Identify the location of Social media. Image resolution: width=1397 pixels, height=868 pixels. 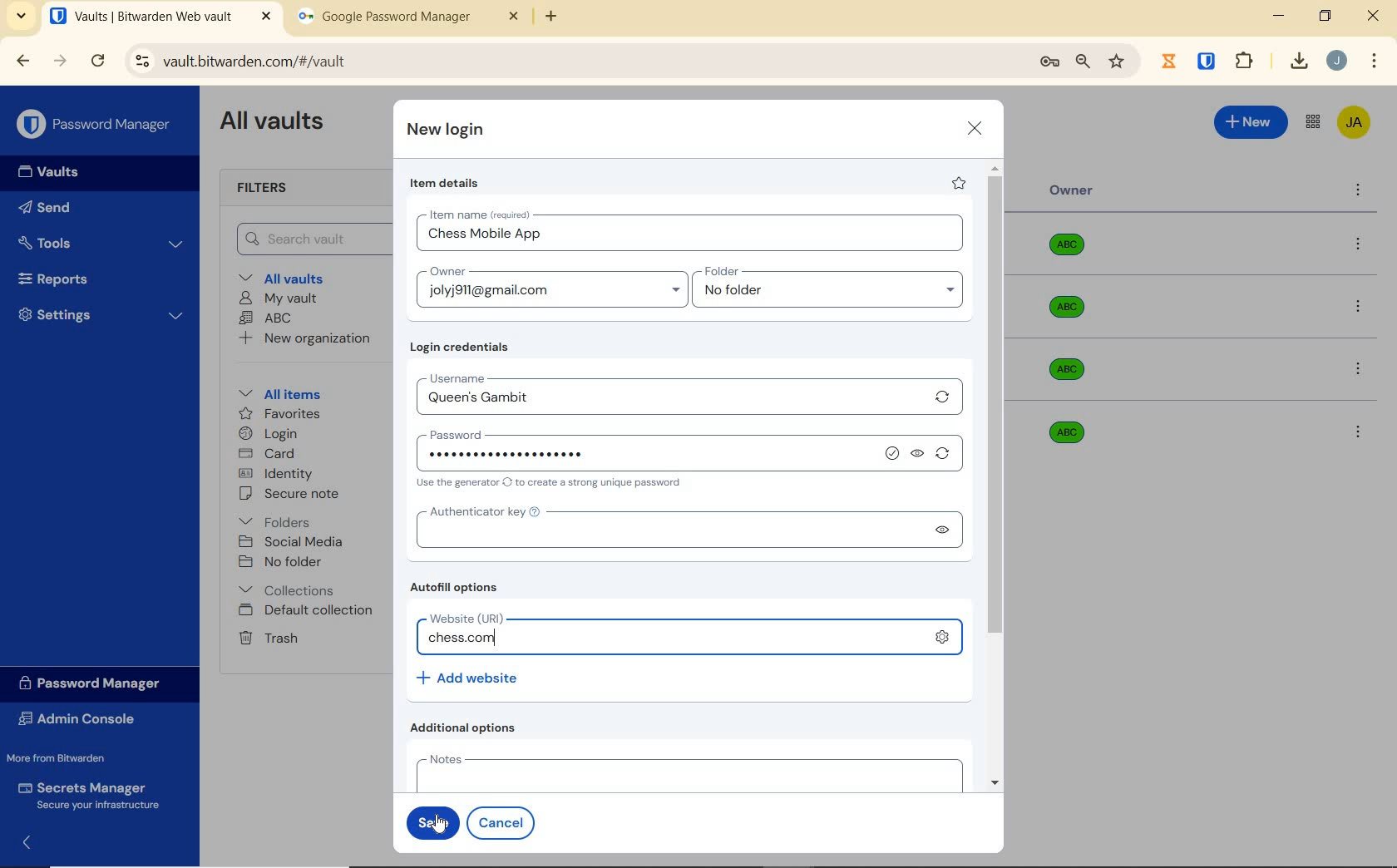
(289, 541).